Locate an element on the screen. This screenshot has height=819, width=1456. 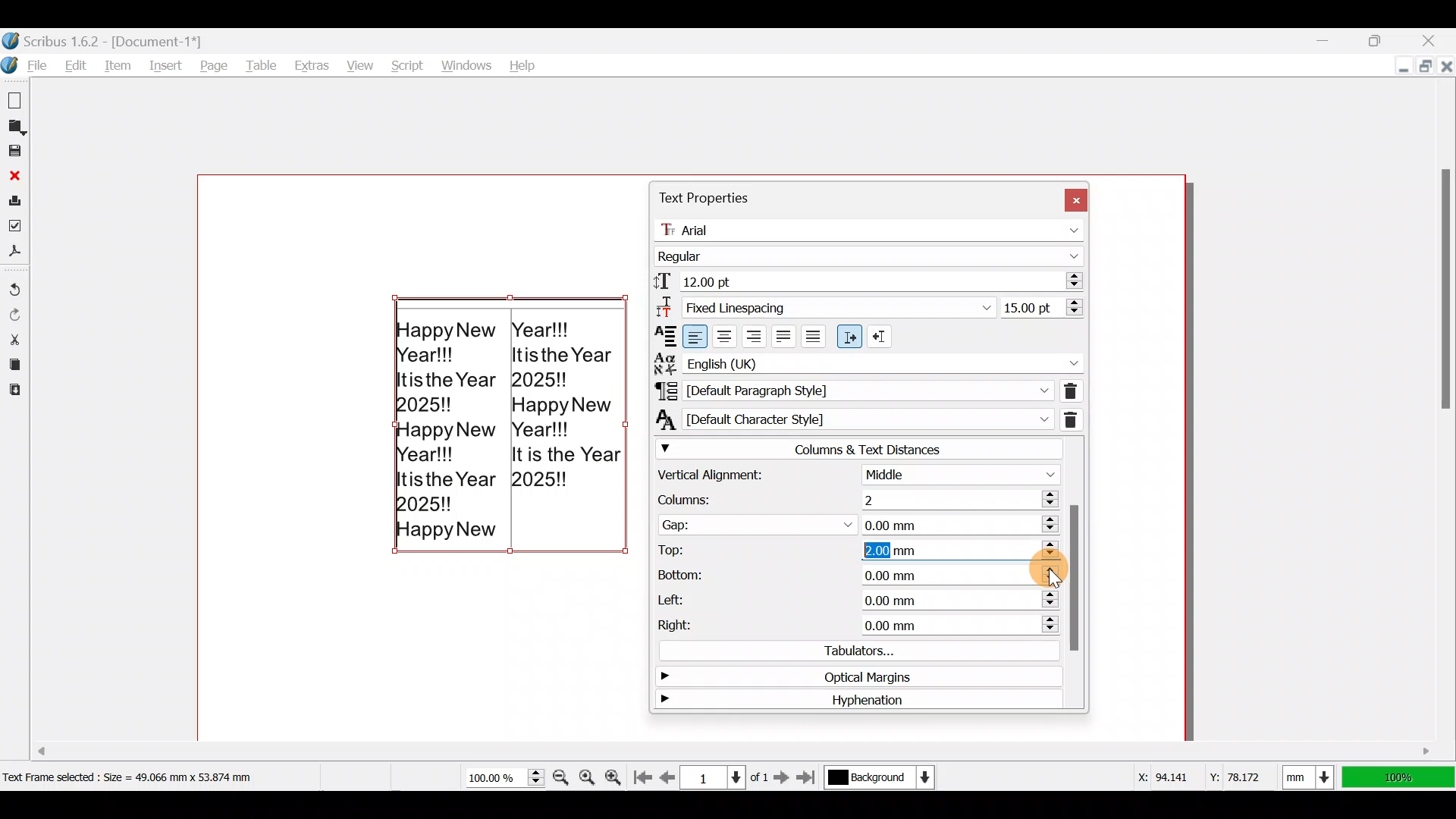
Align text left is located at coordinates (695, 335).